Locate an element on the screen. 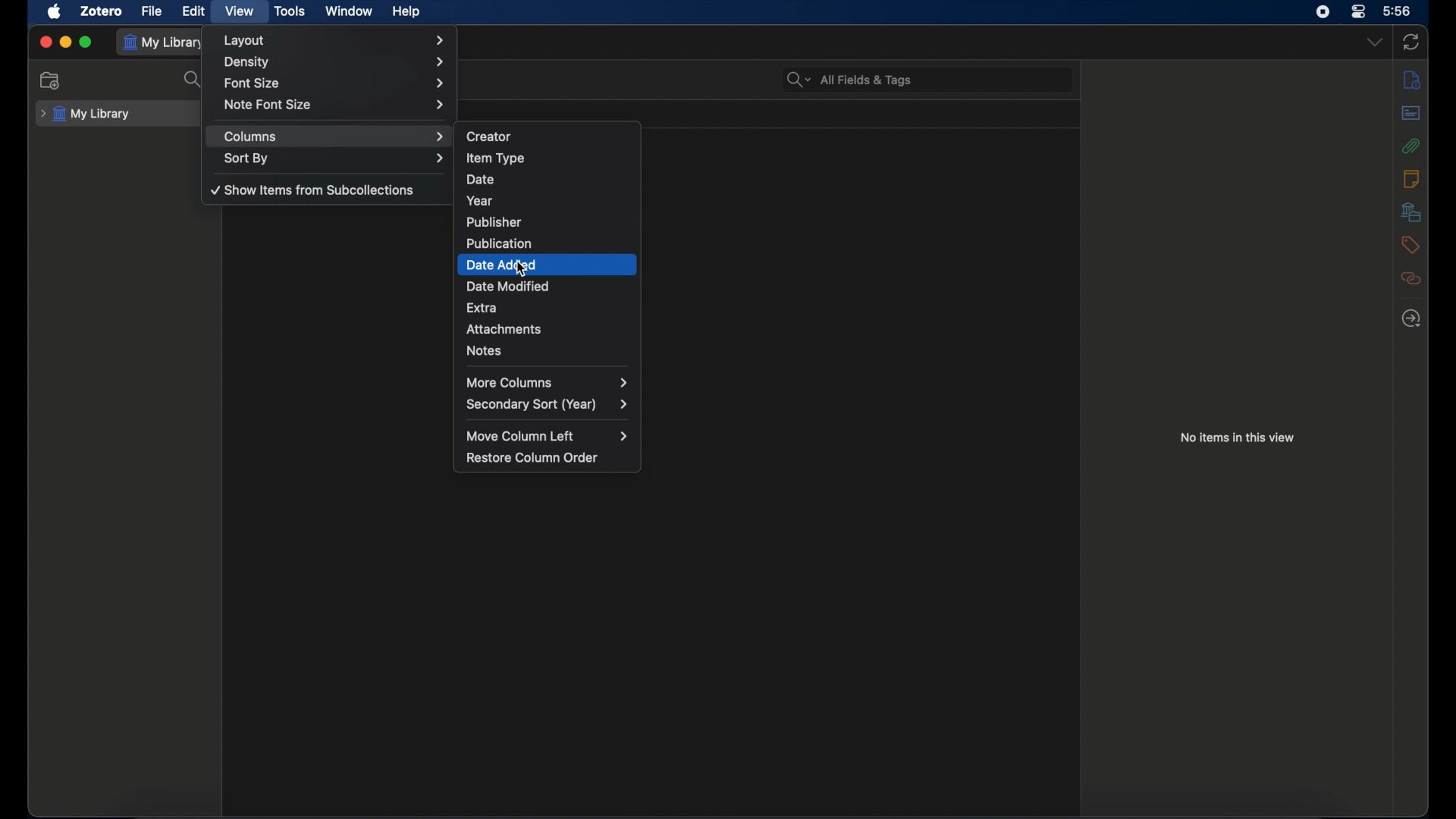 This screenshot has height=819, width=1456. my library is located at coordinates (167, 42).